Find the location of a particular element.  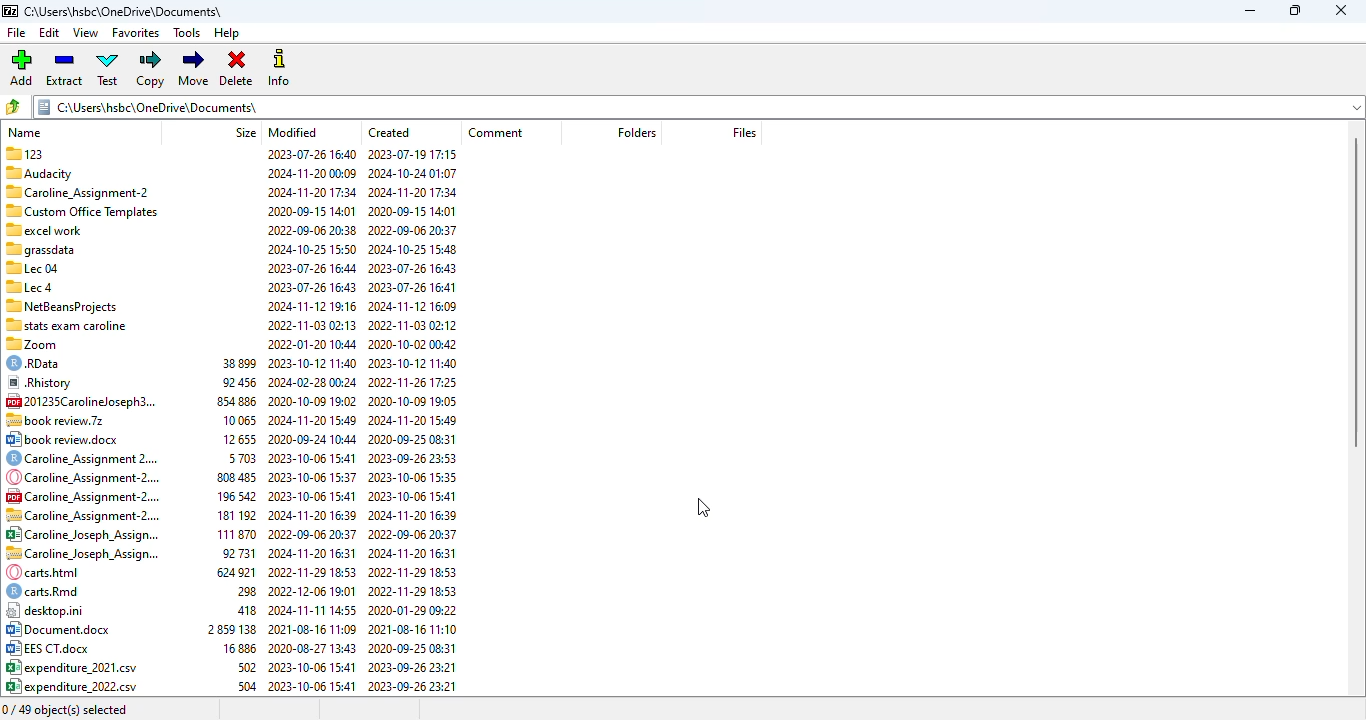

edit is located at coordinates (50, 33).